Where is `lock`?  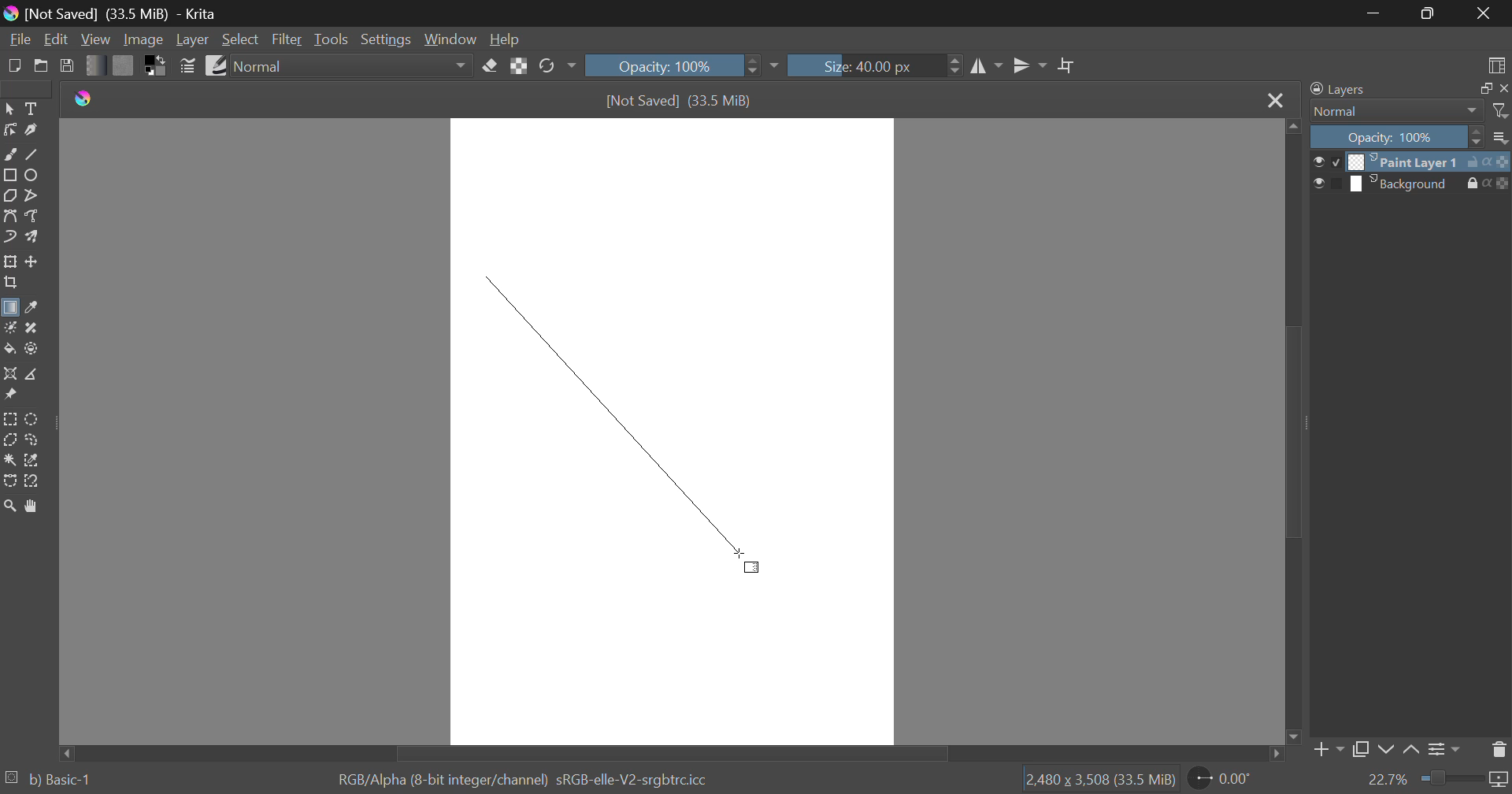 lock is located at coordinates (1476, 184).